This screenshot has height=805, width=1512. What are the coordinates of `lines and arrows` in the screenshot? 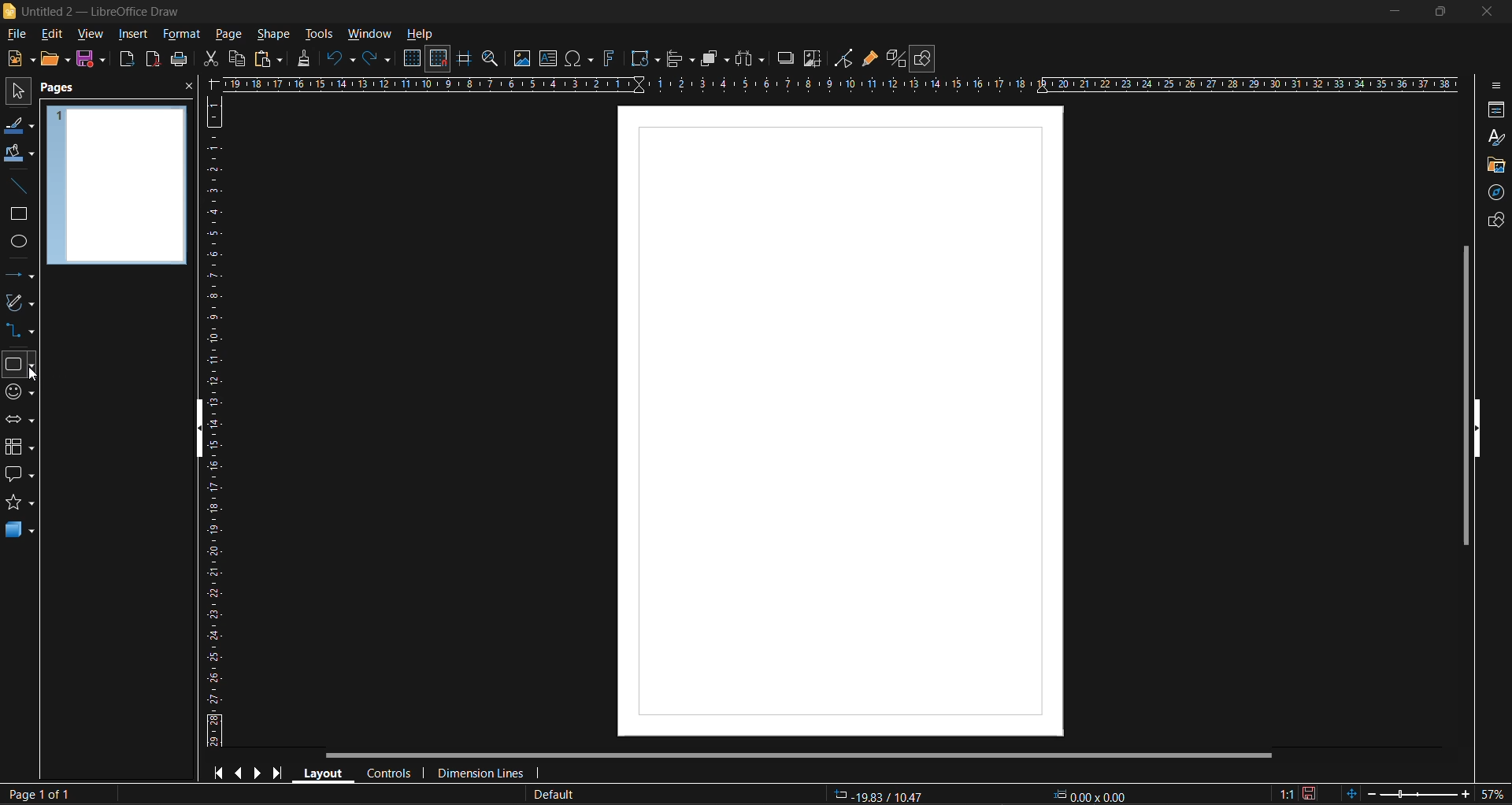 It's located at (24, 278).